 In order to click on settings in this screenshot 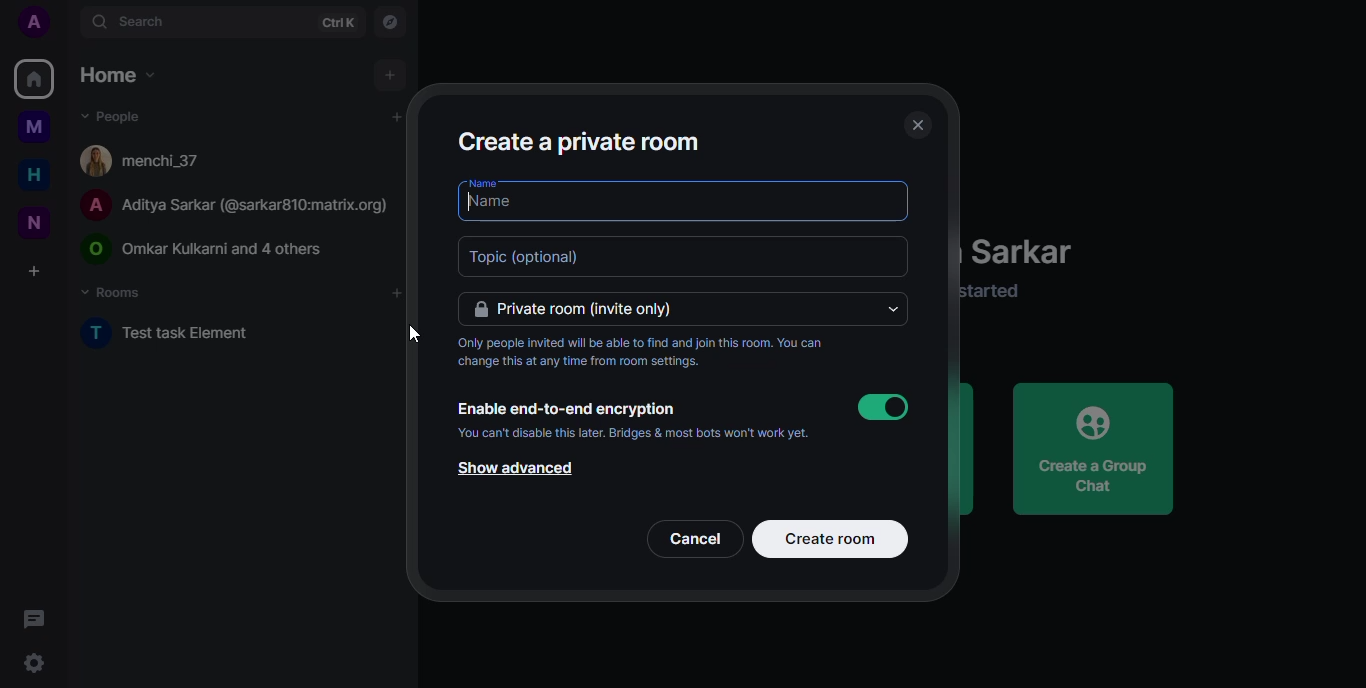, I will do `click(34, 662)`.